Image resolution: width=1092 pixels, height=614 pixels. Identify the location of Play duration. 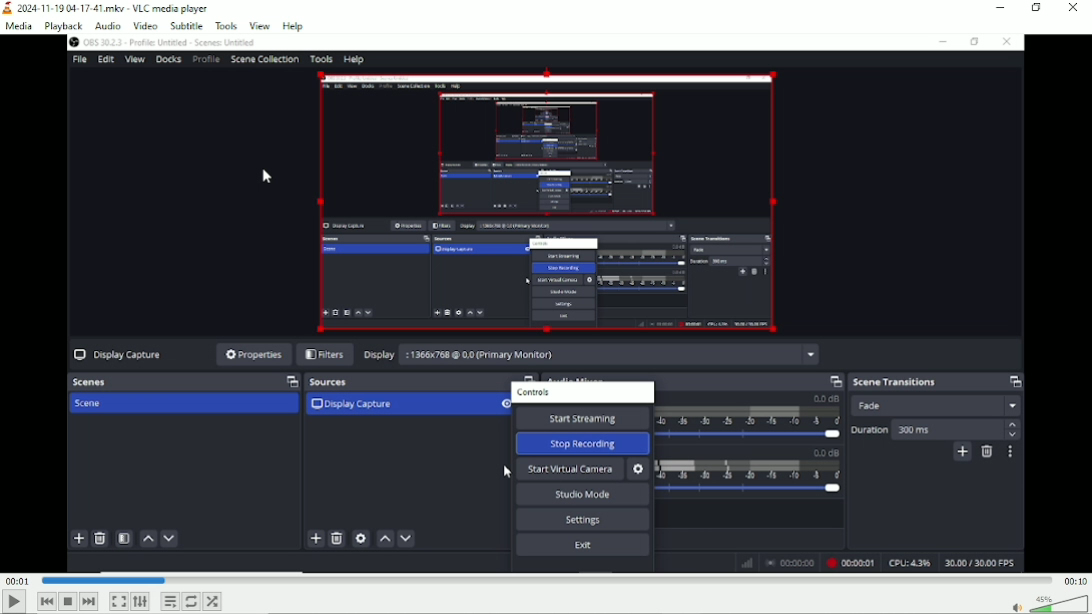
(545, 580).